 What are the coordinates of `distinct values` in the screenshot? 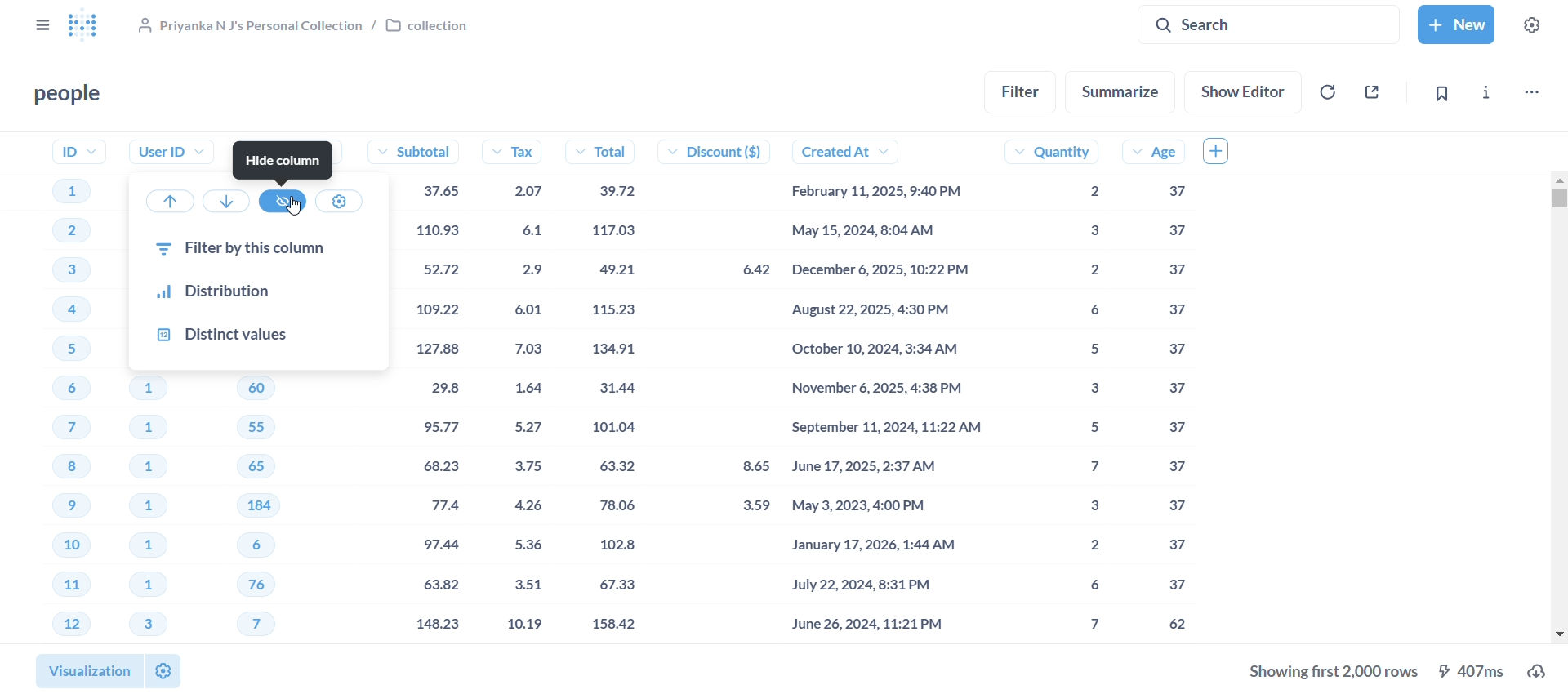 It's located at (263, 334).